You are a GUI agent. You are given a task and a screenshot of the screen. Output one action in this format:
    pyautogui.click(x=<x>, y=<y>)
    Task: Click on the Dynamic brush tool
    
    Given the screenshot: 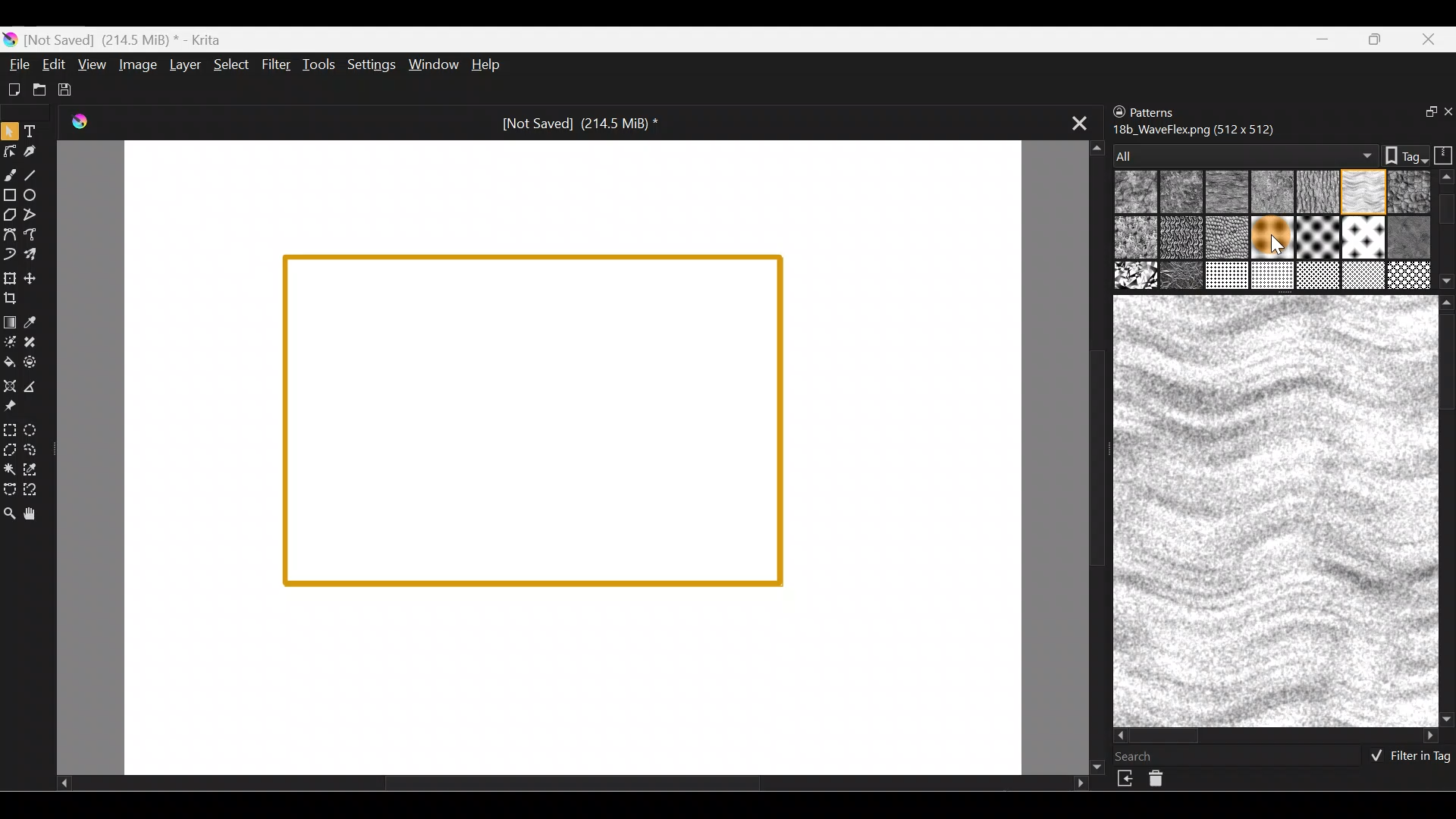 What is the action you would take?
    pyautogui.click(x=10, y=255)
    